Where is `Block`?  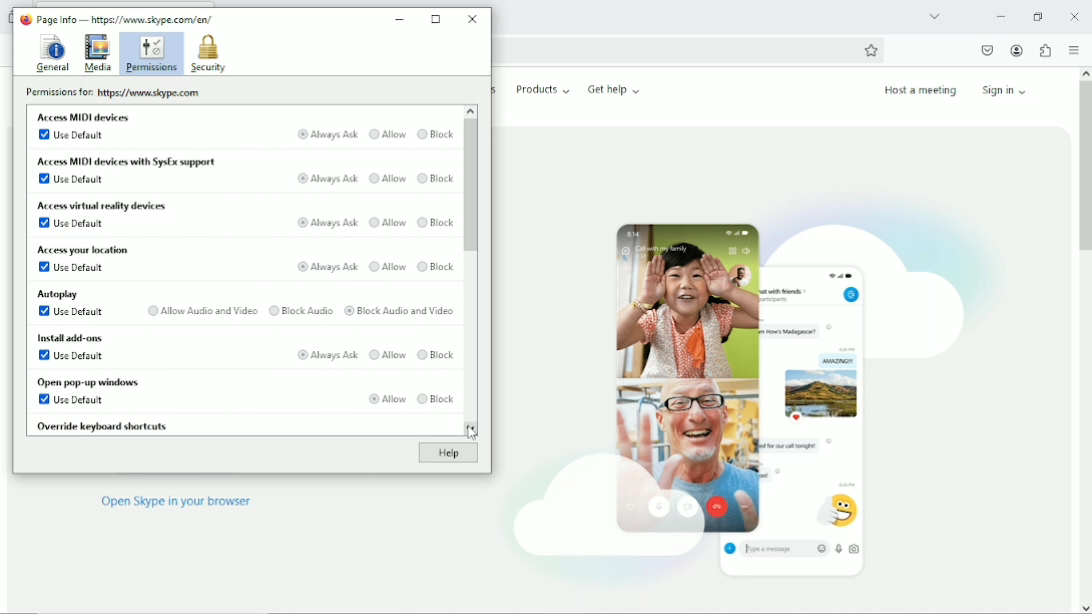 Block is located at coordinates (436, 266).